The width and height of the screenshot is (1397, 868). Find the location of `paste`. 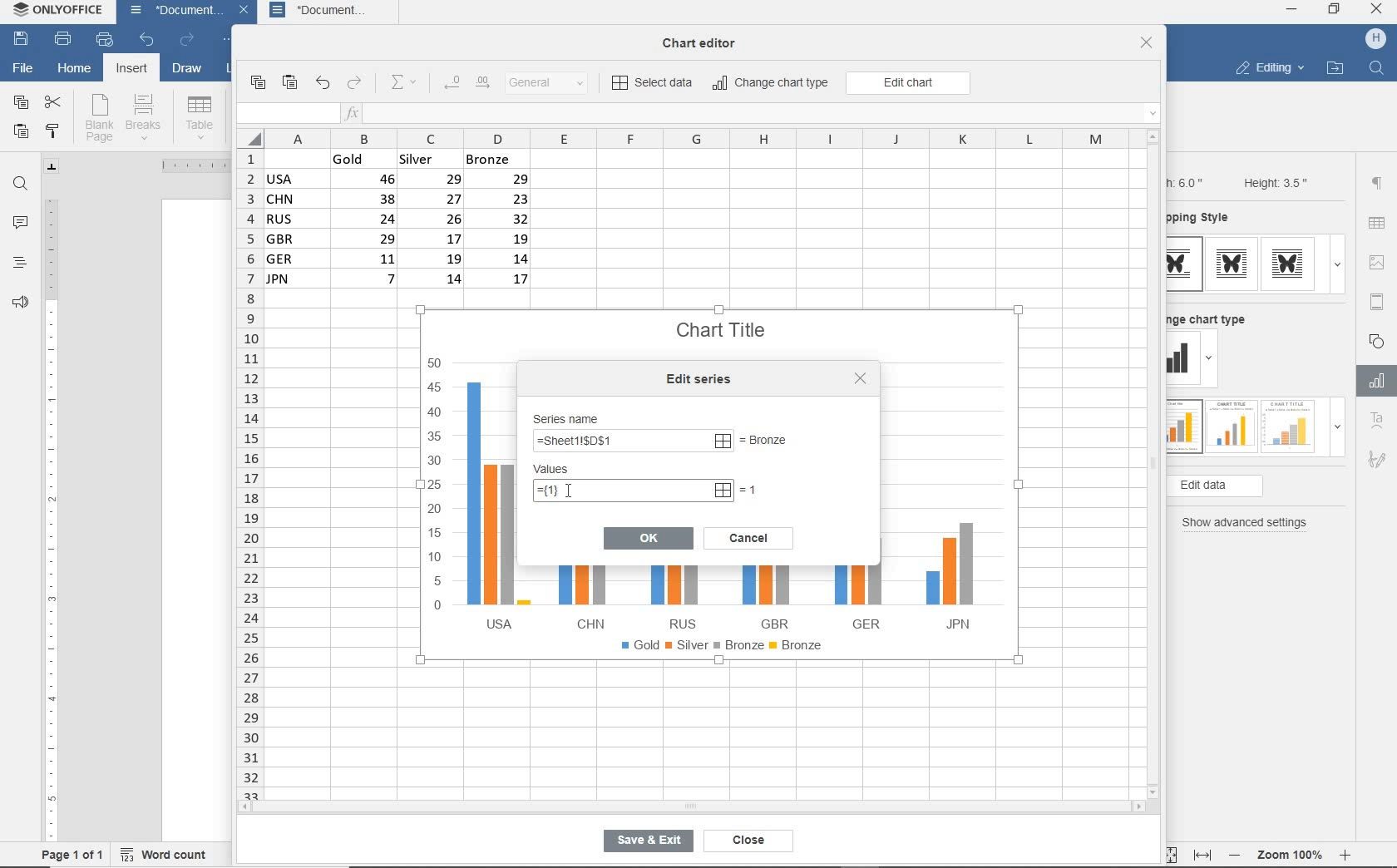

paste is located at coordinates (21, 133).